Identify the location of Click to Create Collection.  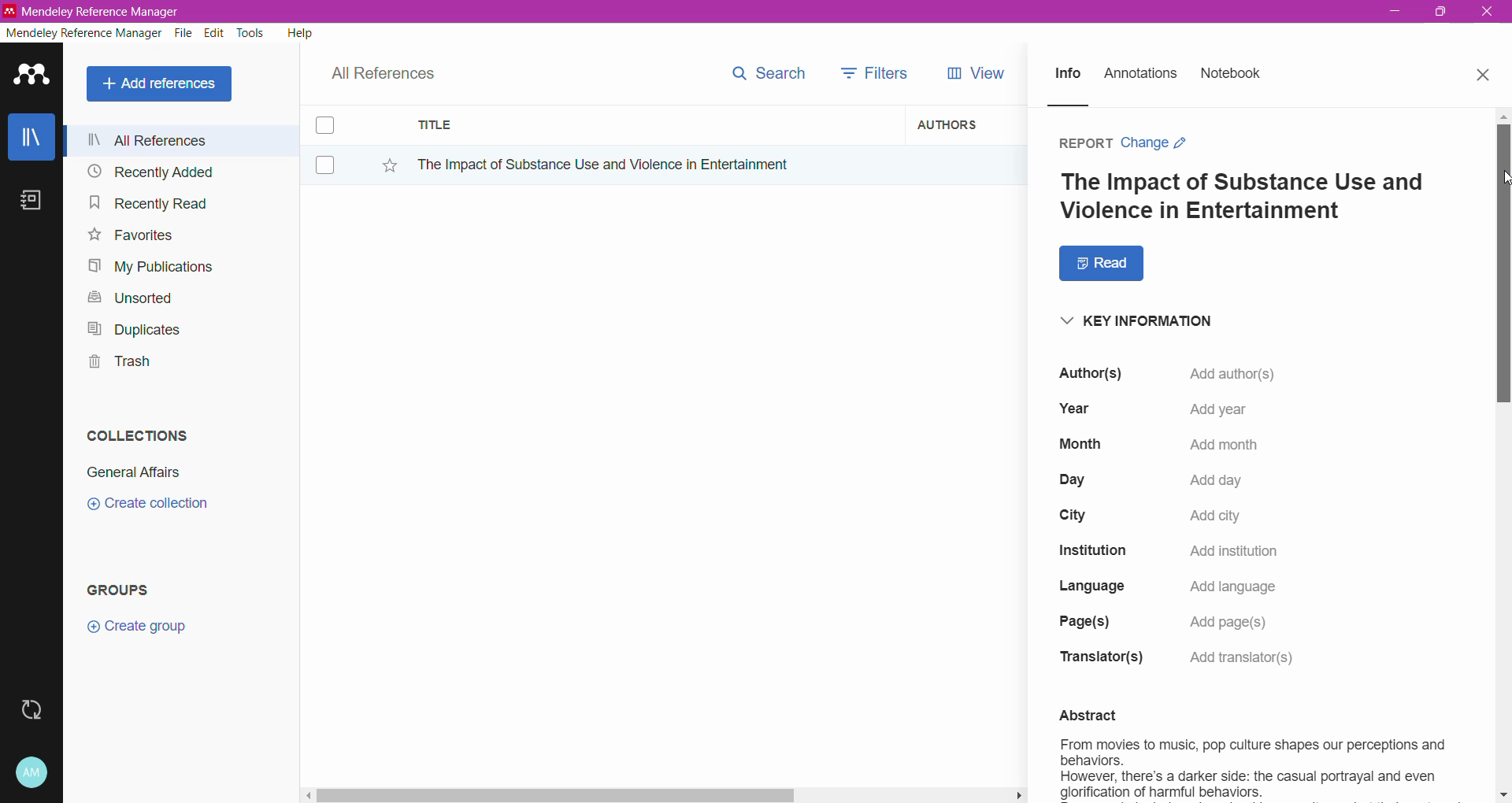
(147, 506).